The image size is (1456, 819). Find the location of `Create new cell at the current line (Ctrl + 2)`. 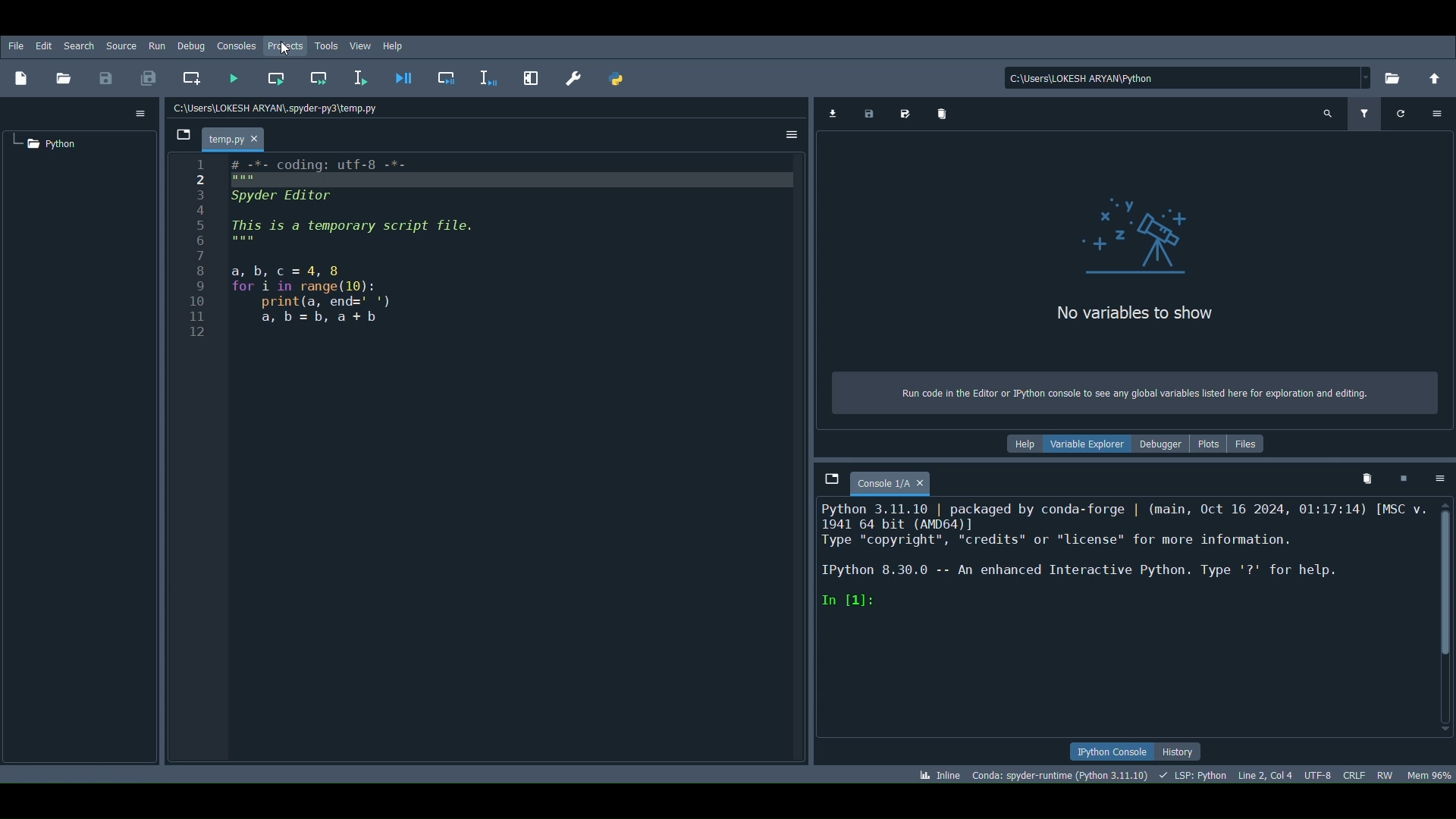

Create new cell at the current line (Ctrl + 2) is located at coordinates (190, 75).